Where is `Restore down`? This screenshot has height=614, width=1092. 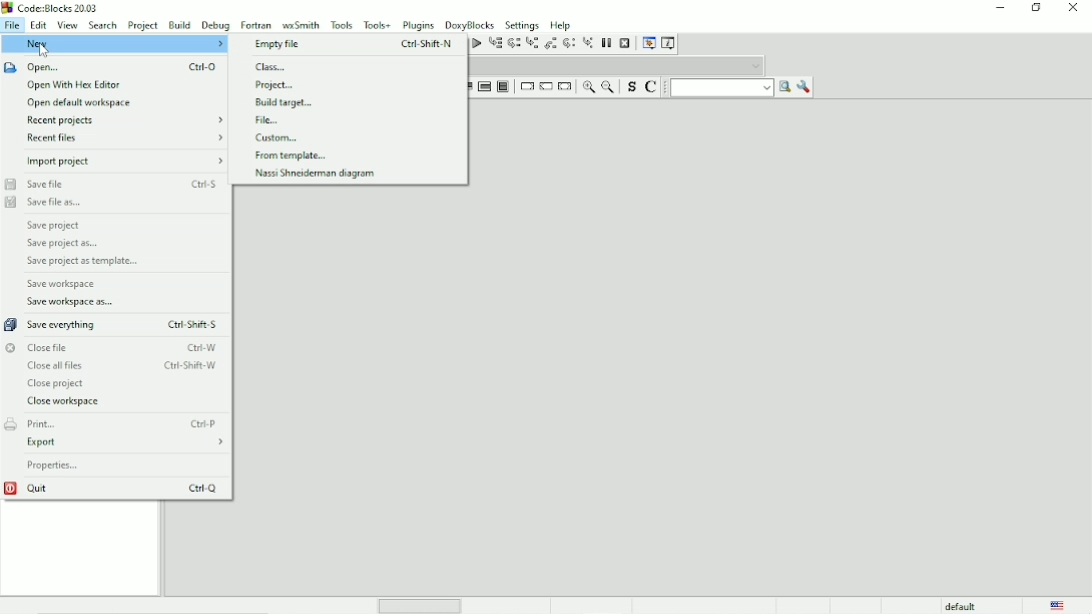 Restore down is located at coordinates (1037, 8).